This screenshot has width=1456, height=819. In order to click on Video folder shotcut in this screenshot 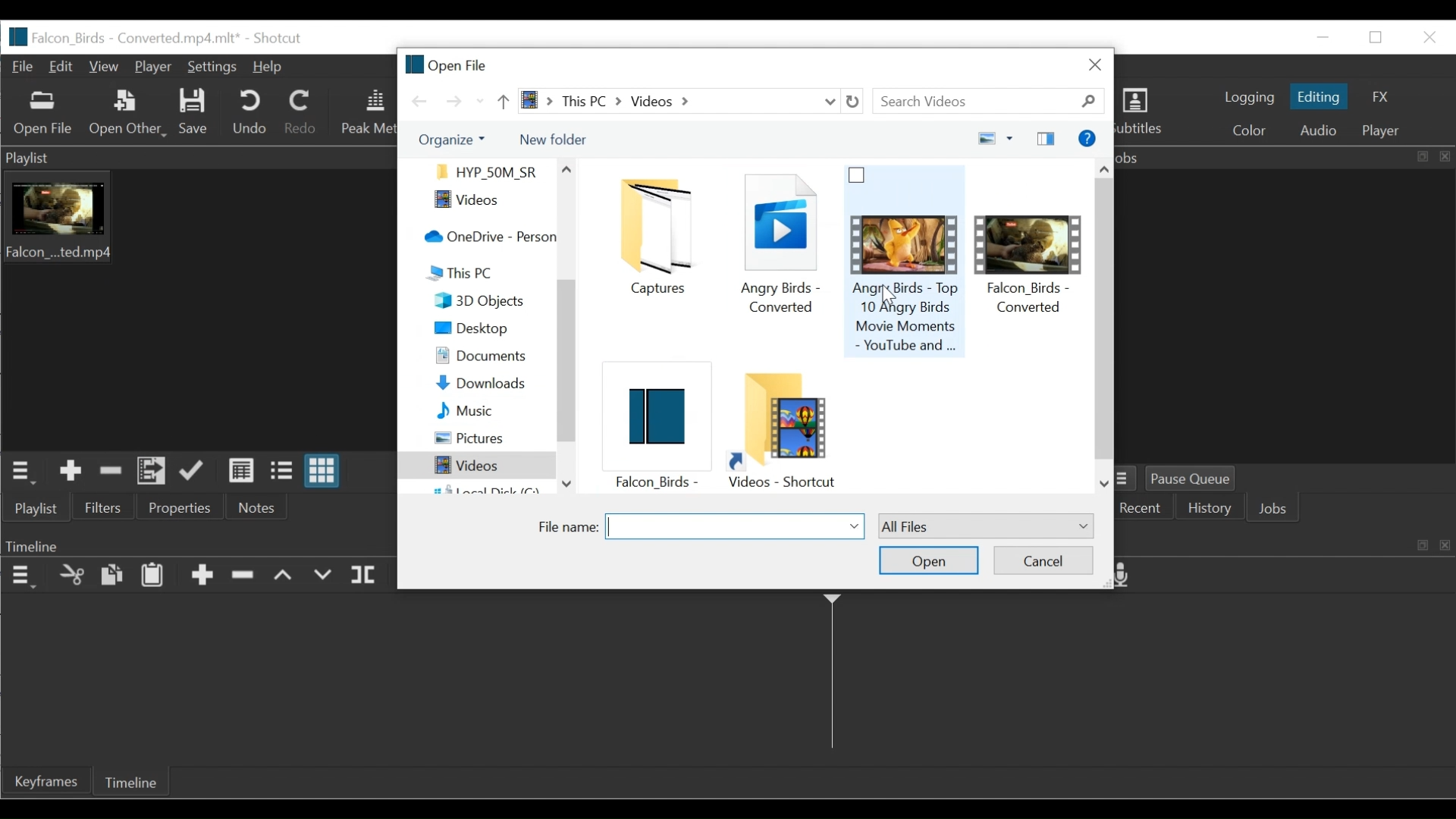, I will do `click(782, 429)`.